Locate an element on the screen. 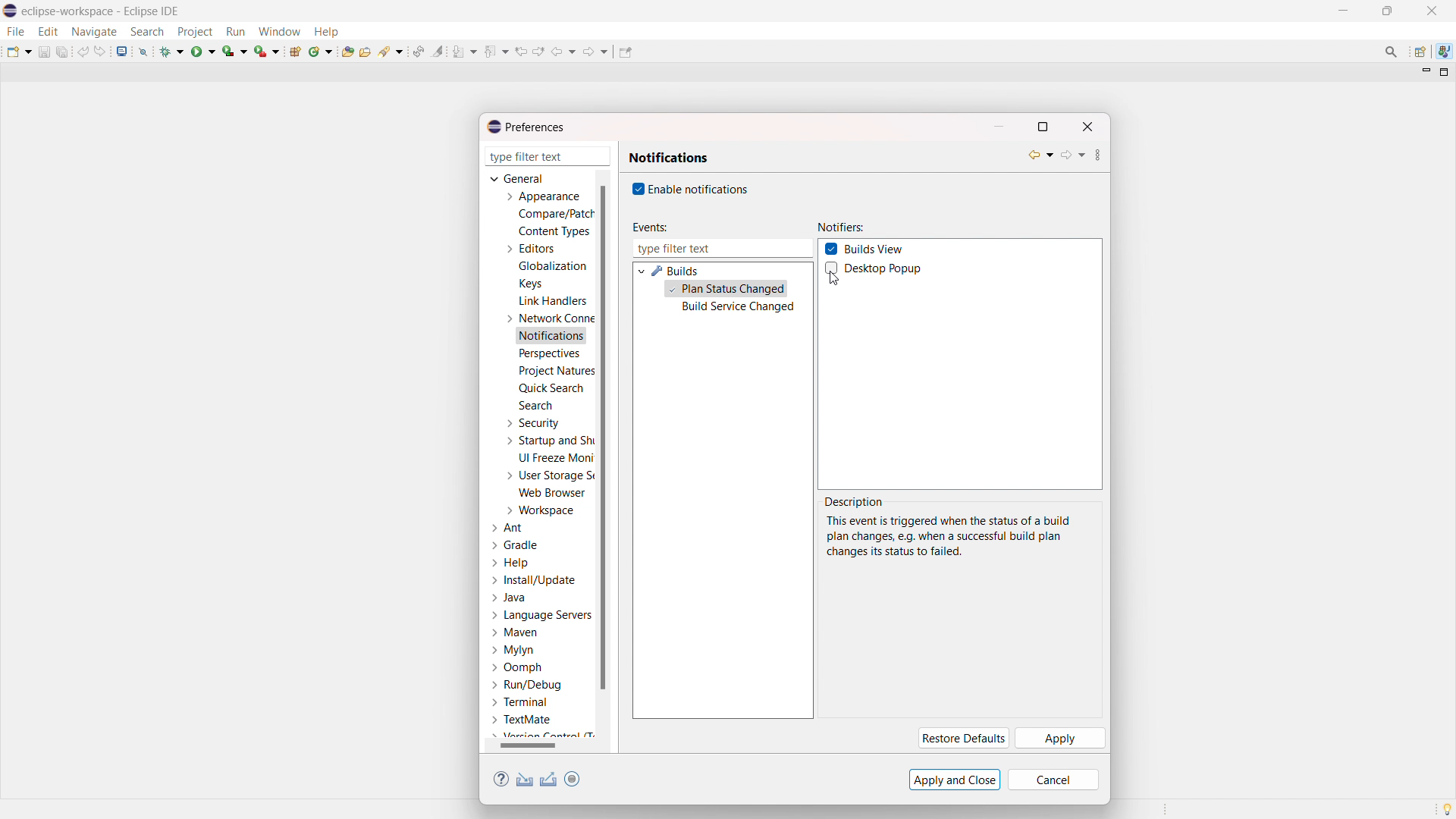  project is located at coordinates (194, 32).